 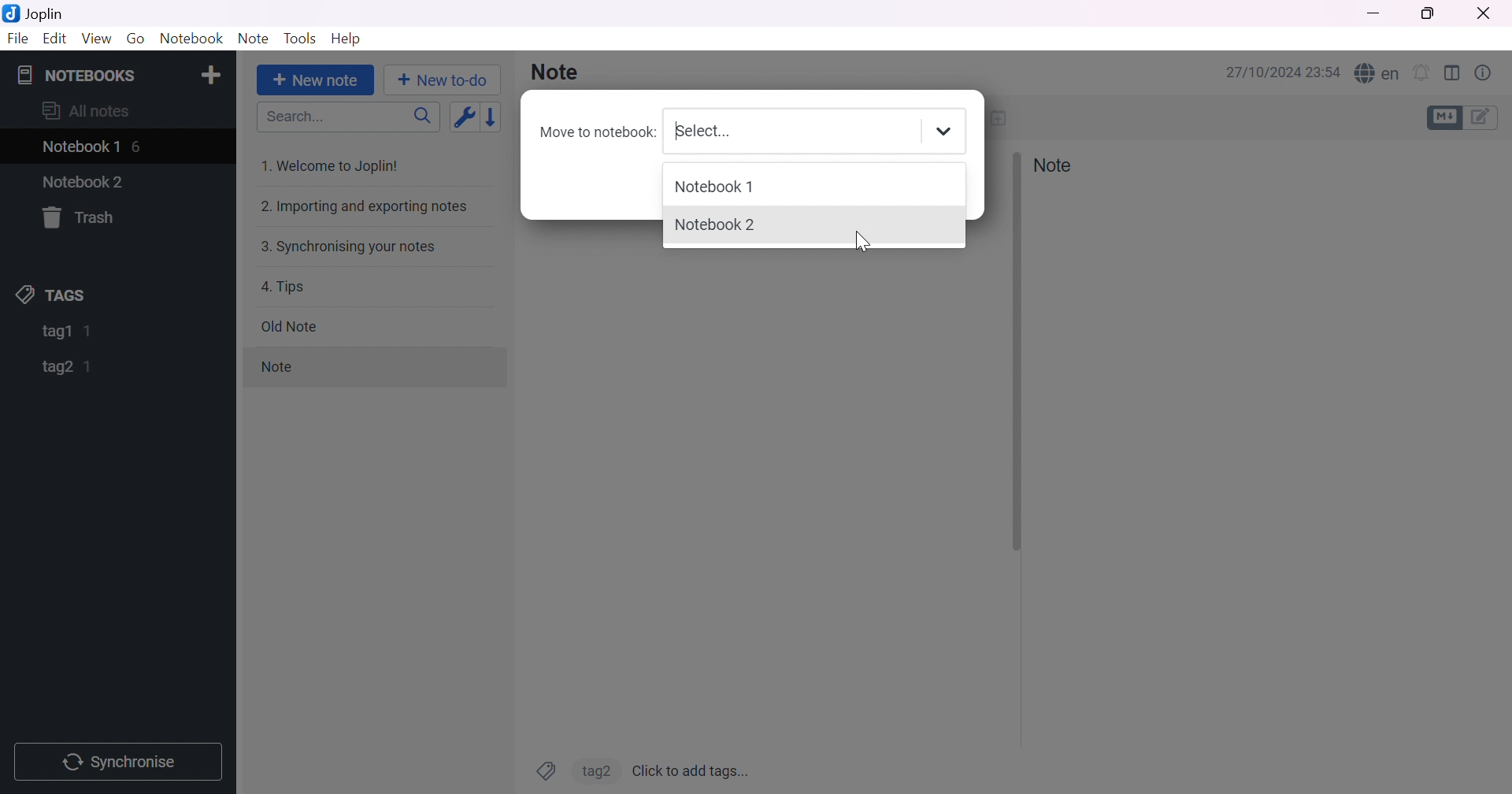 What do you see at coordinates (363, 206) in the screenshot?
I see `2. Importing and exporting notes` at bounding box center [363, 206].